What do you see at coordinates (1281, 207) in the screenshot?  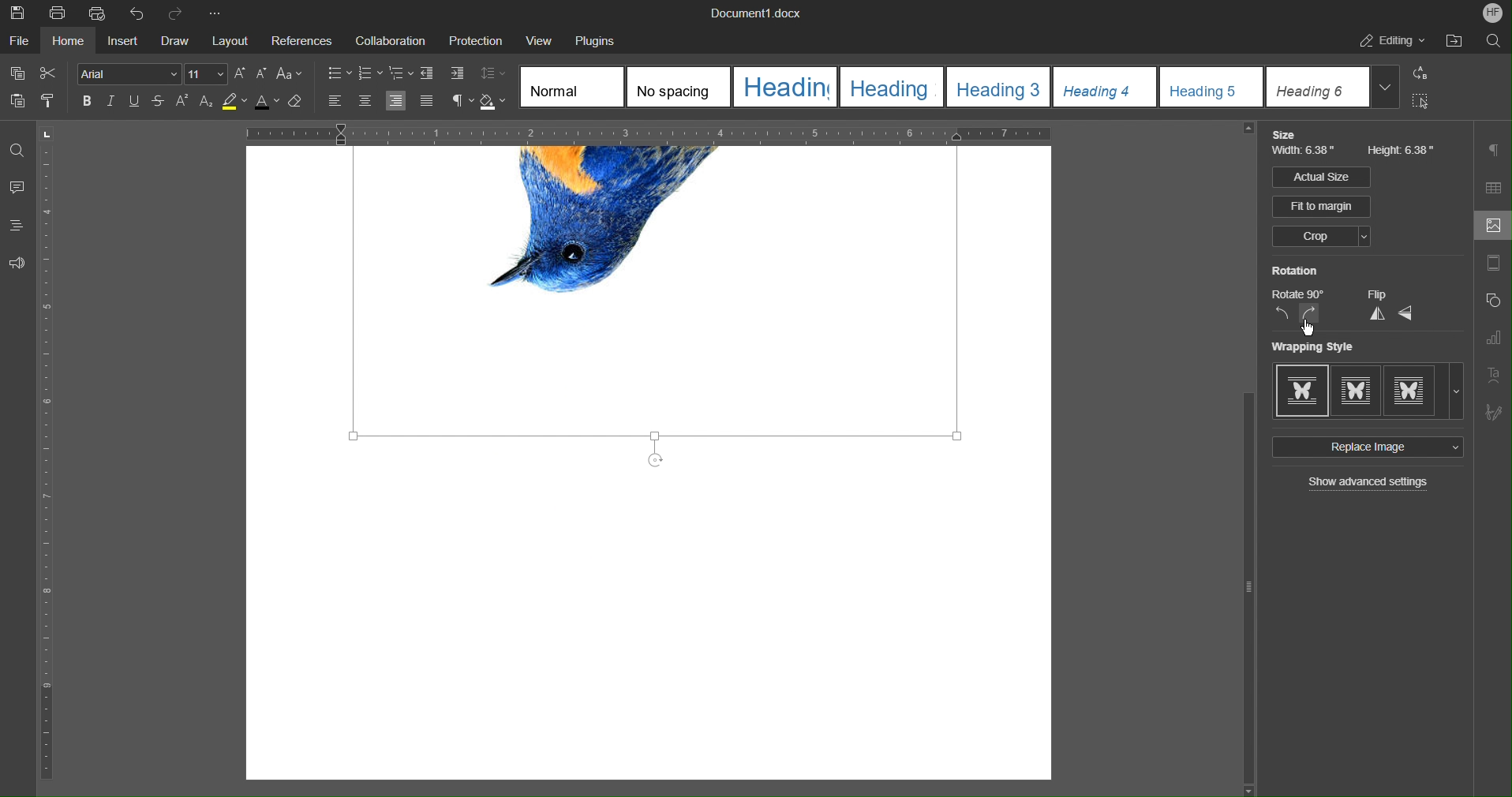 I see `Fit to margin` at bounding box center [1281, 207].